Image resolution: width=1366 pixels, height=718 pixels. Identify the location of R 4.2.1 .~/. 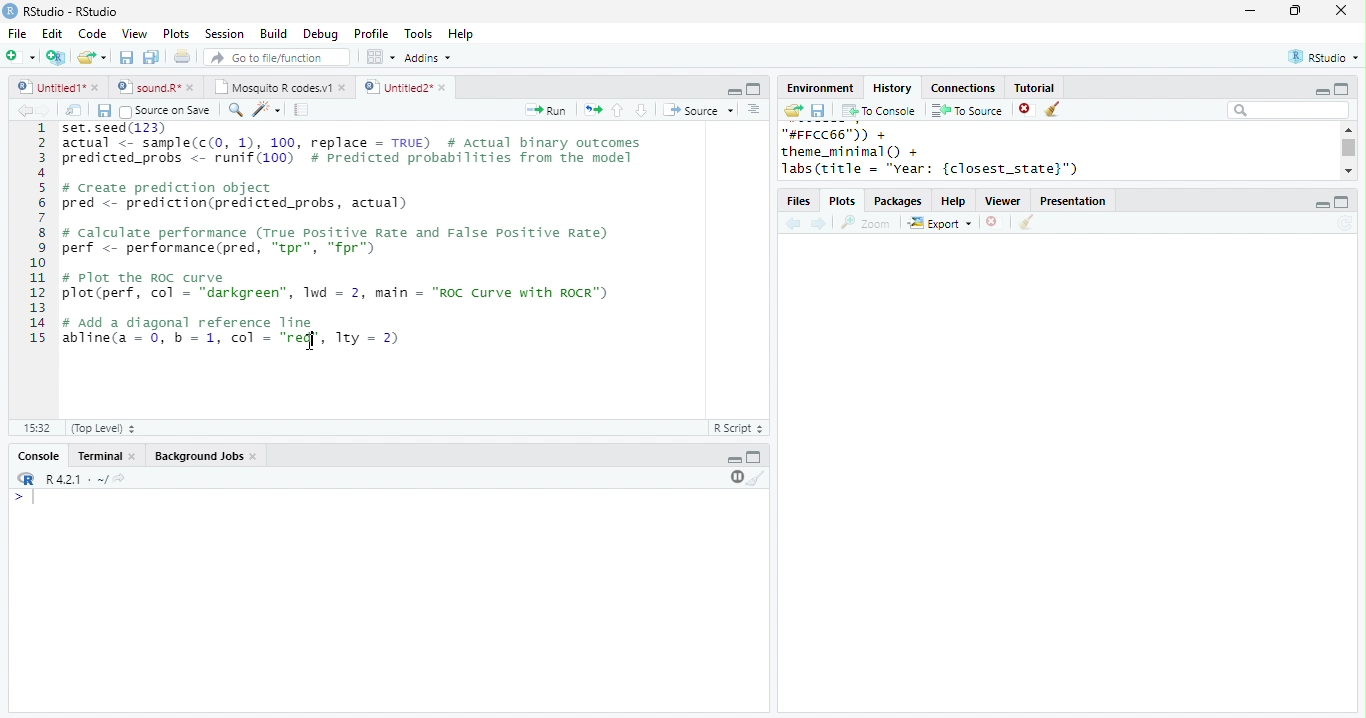
(73, 480).